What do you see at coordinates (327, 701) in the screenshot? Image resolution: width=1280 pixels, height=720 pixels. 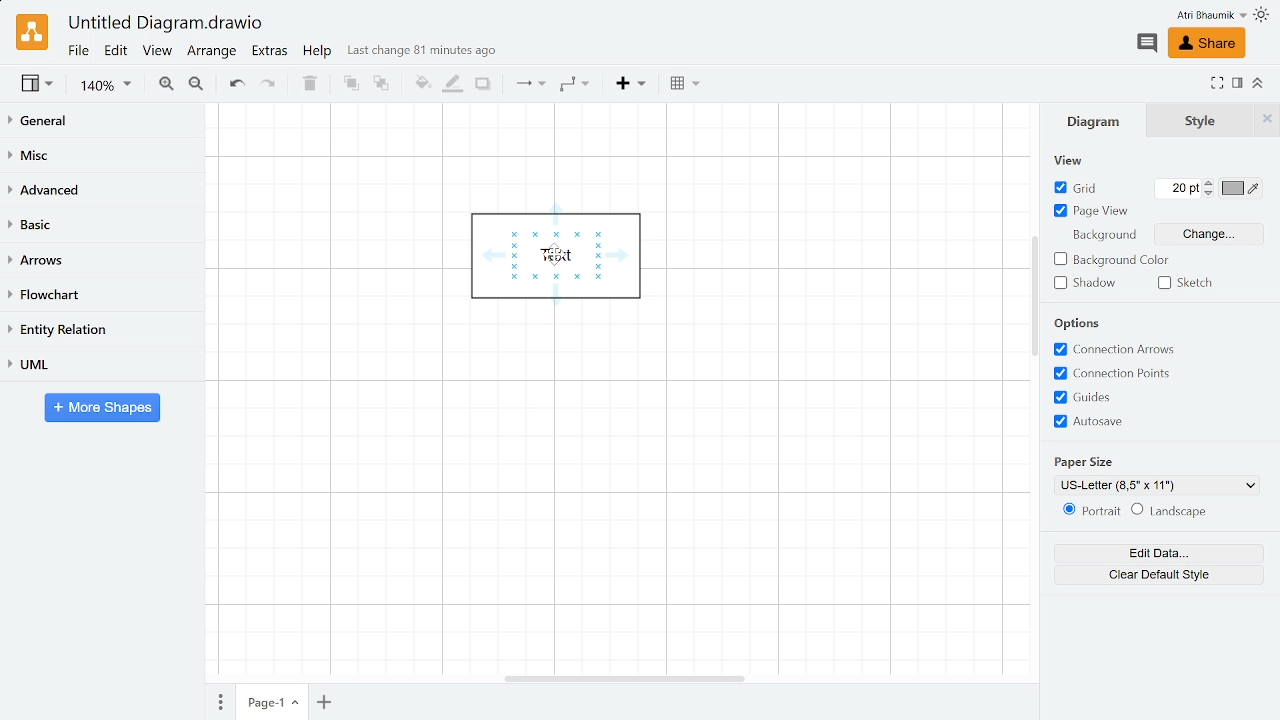 I see `Add page` at bounding box center [327, 701].